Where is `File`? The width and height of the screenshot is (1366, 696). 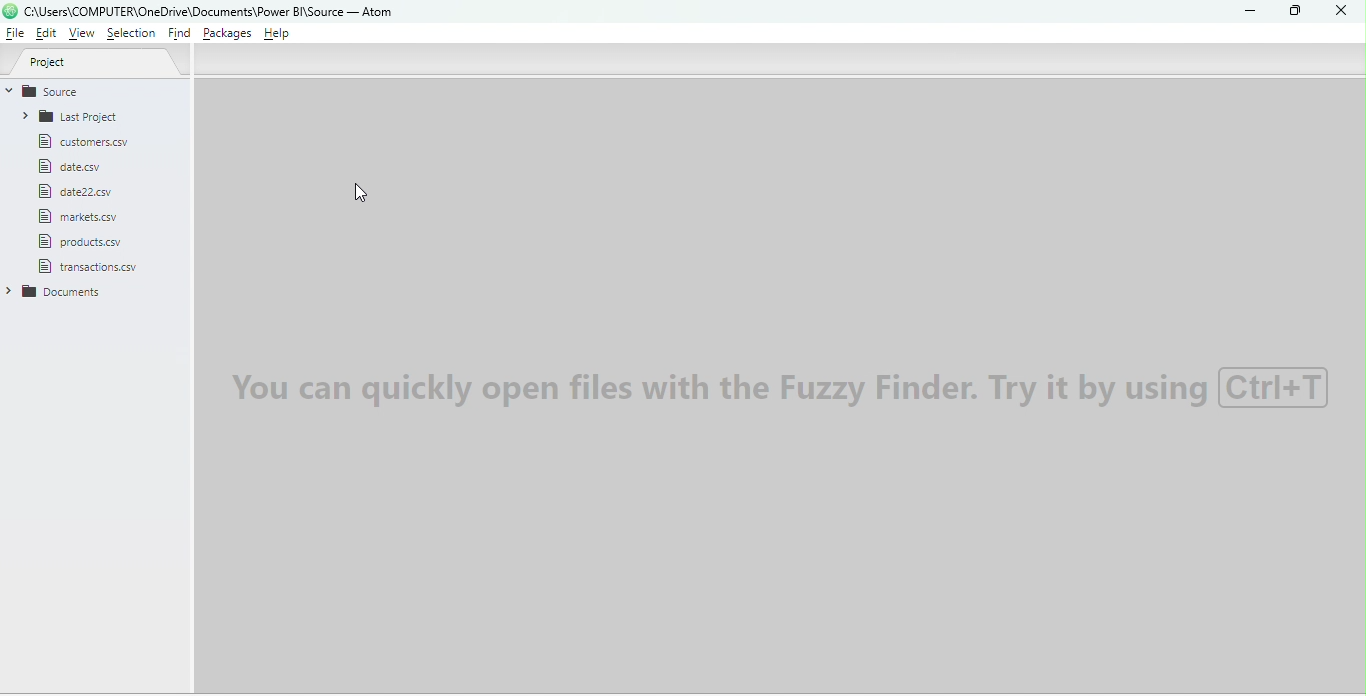
File is located at coordinates (80, 191).